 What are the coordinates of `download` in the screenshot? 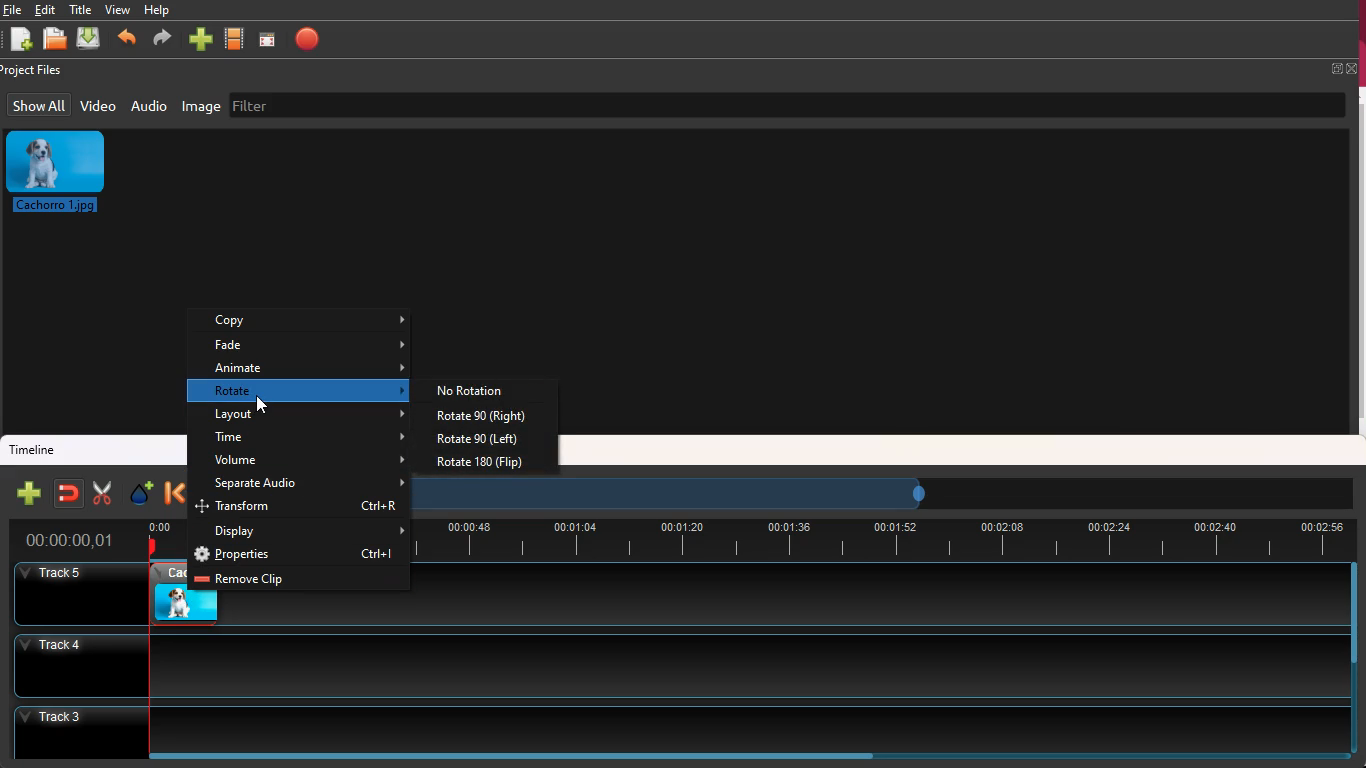 It's located at (90, 37).